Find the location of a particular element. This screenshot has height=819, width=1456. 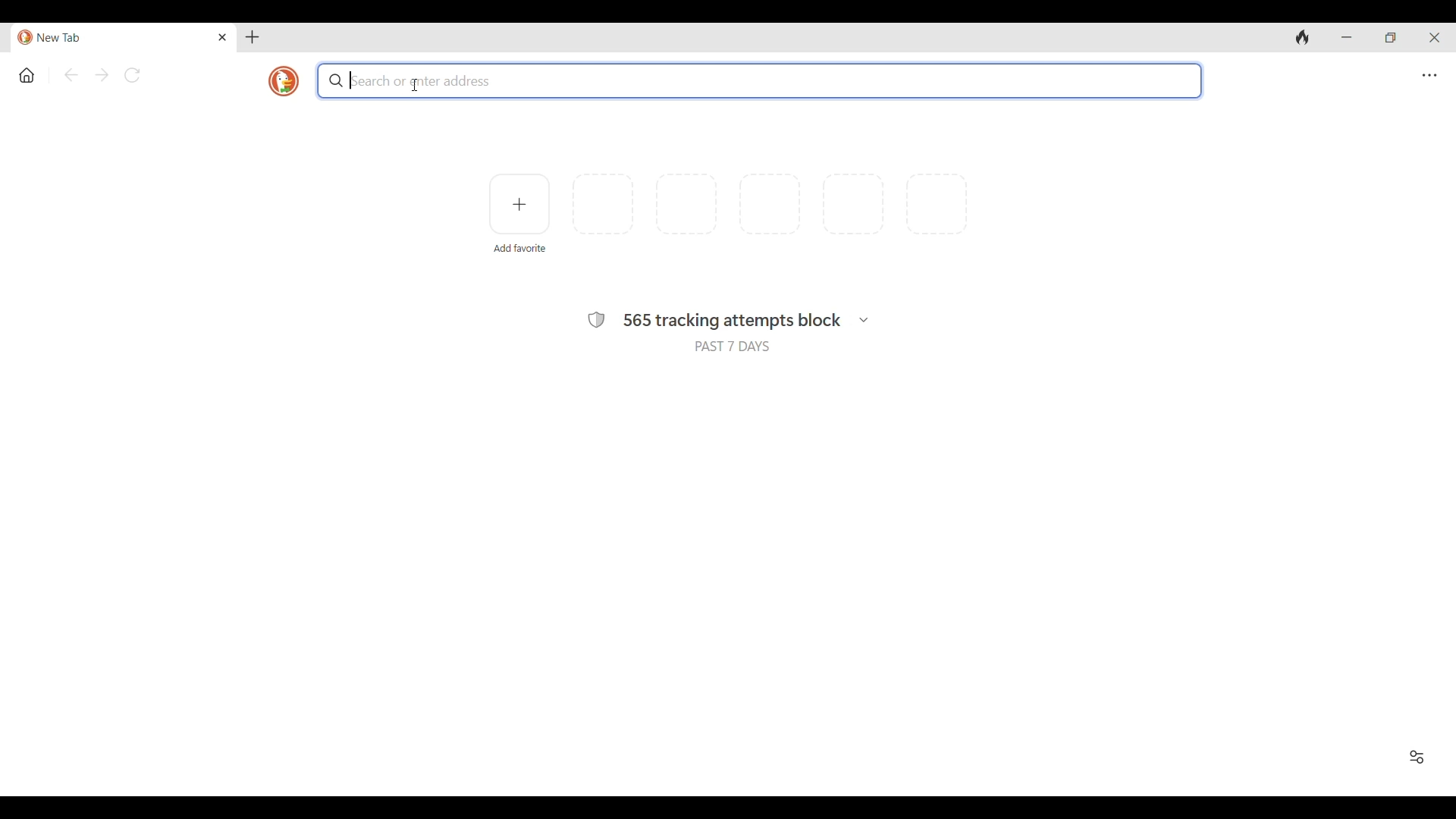

Cursor position unchanged is located at coordinates (416, 85).